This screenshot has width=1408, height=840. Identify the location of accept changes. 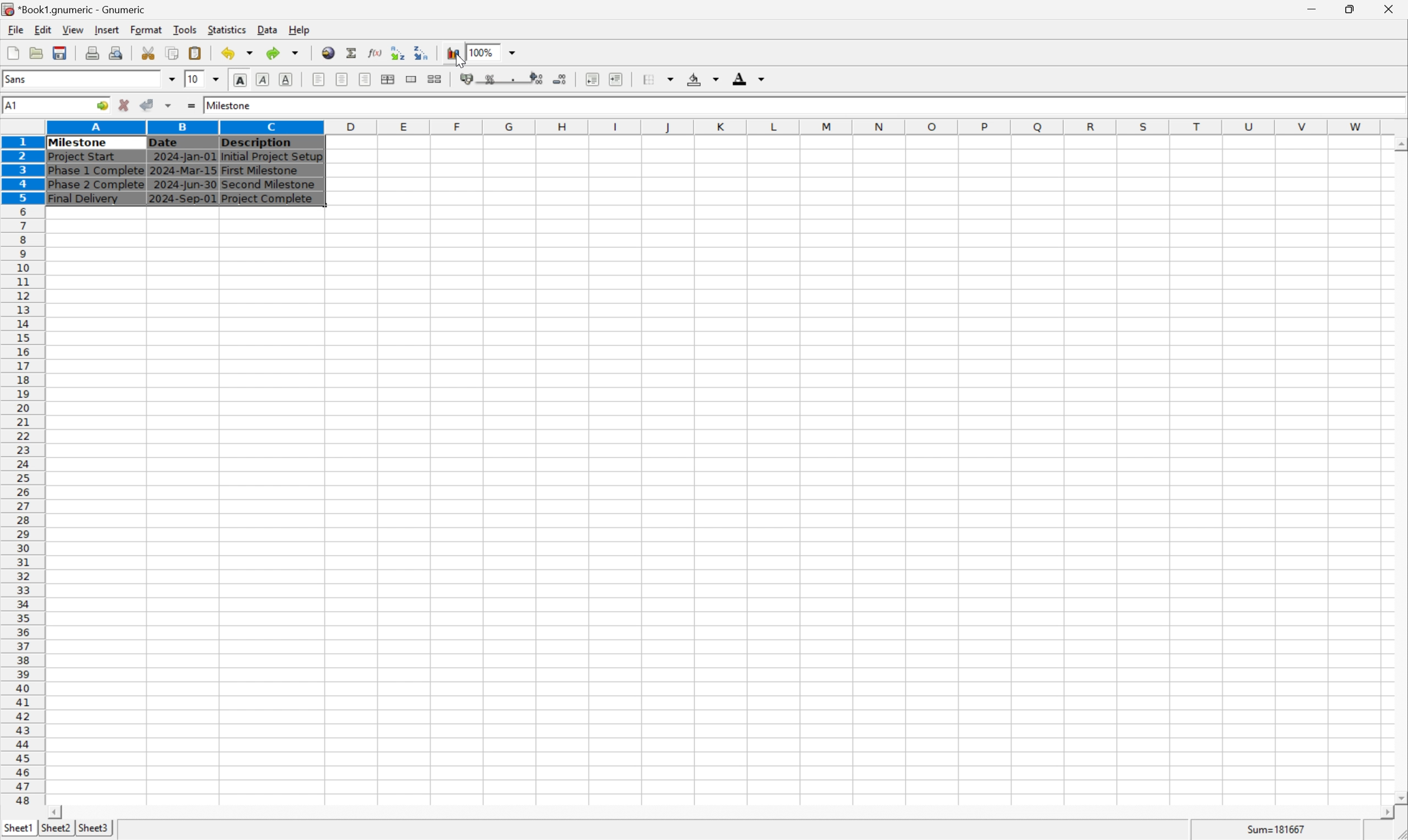
(151, 104).